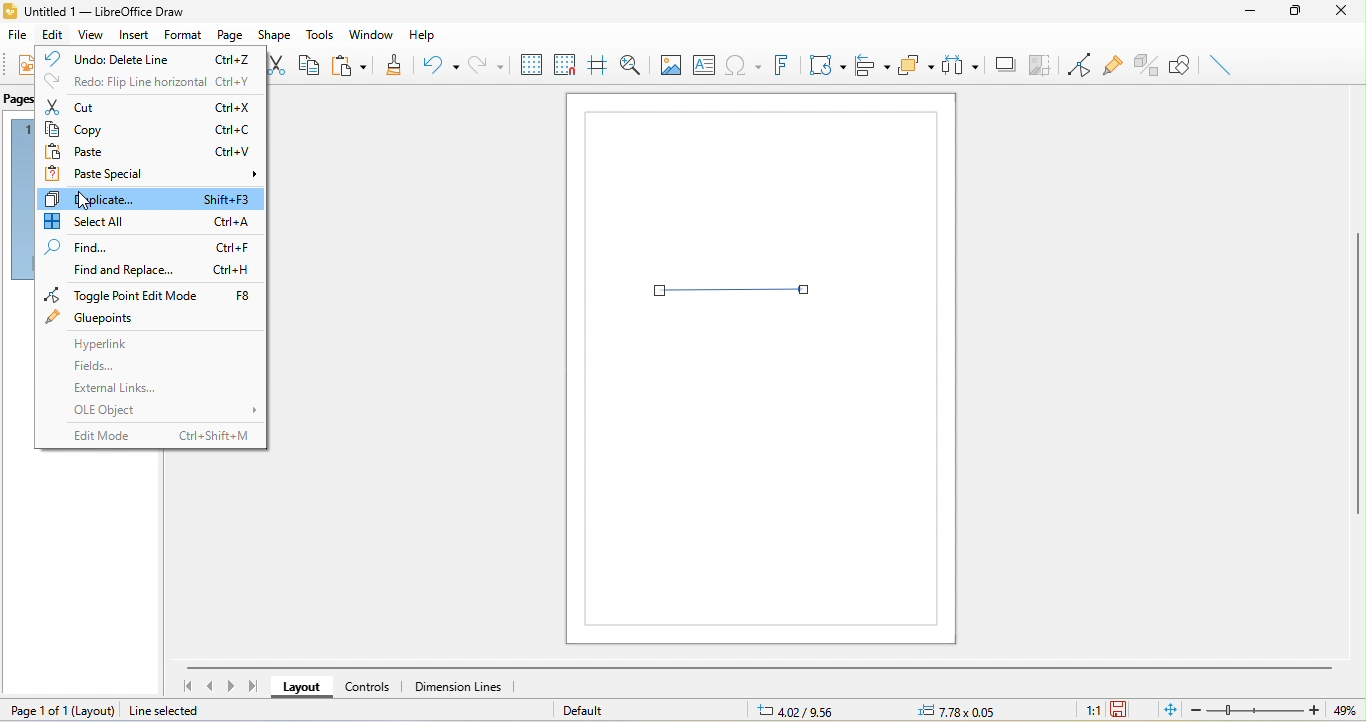 This screenshot has width=1366, height=722. Describe the element at coordinates (590, 710) in the screenshot. I see `default` at that location.